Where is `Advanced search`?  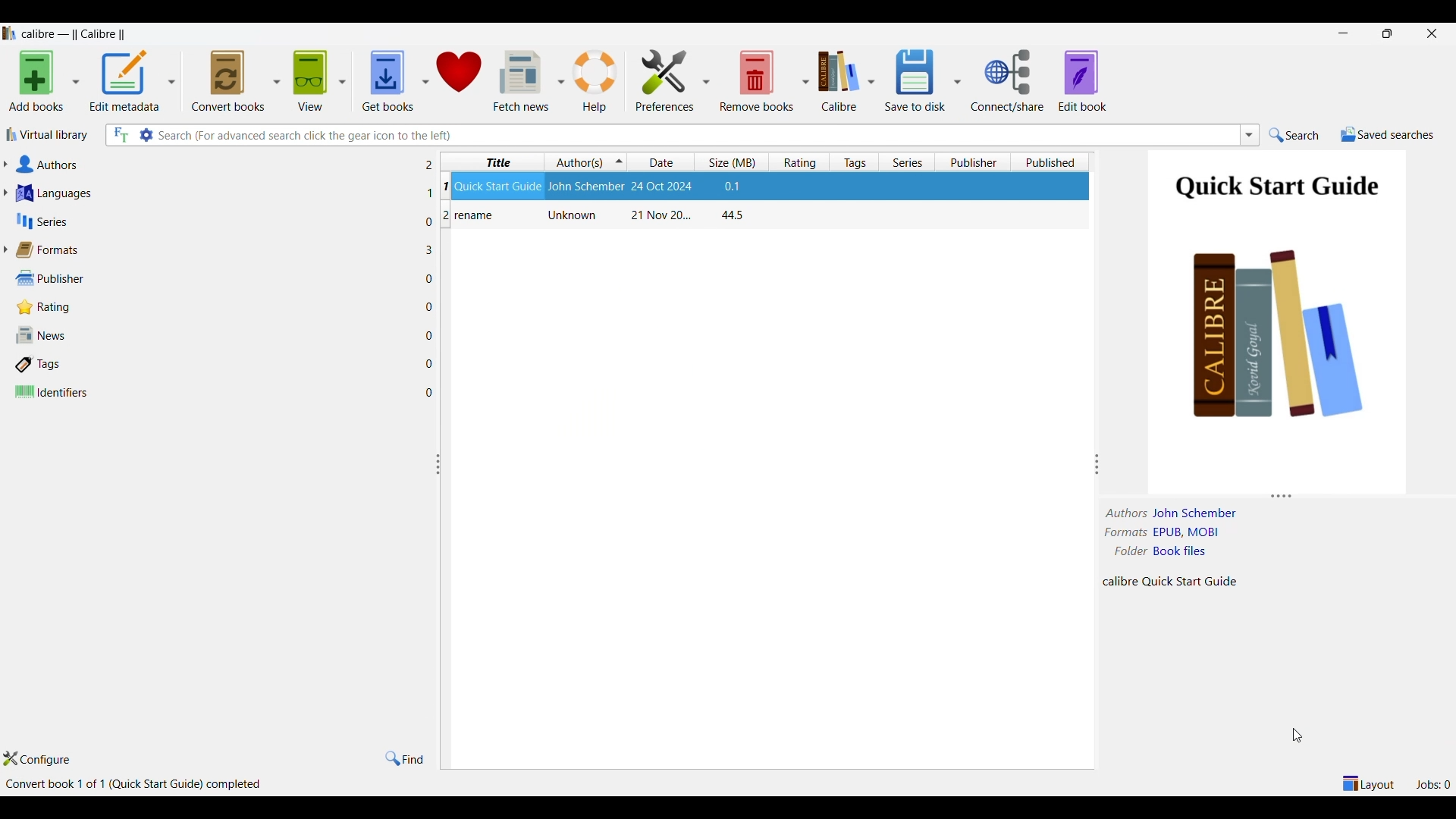
Advanced search is located at coordinates (145, 134).